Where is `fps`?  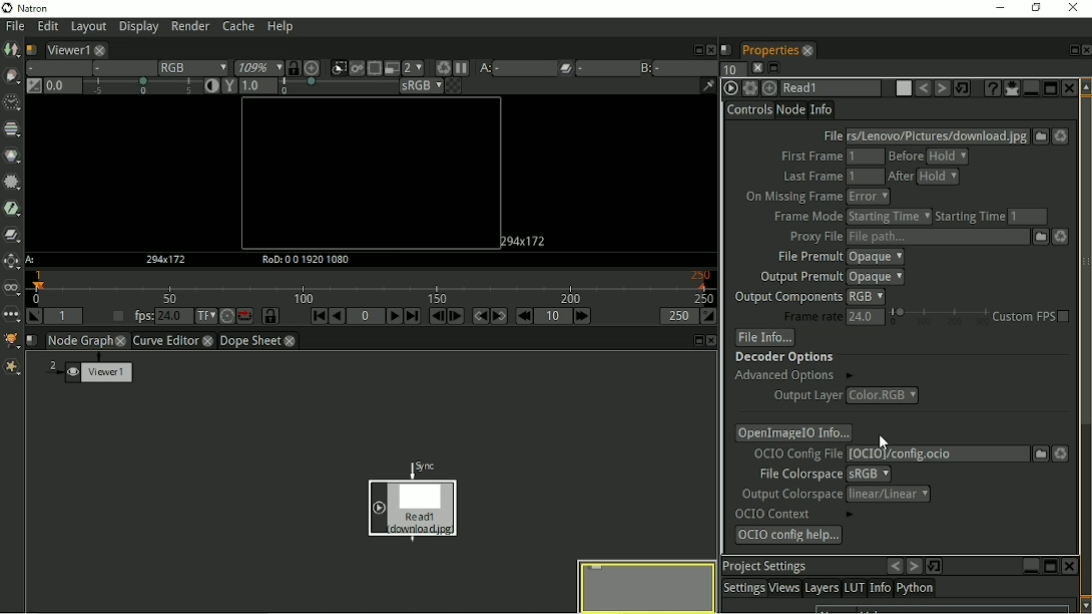
fps is located at coordinates (160, 316).